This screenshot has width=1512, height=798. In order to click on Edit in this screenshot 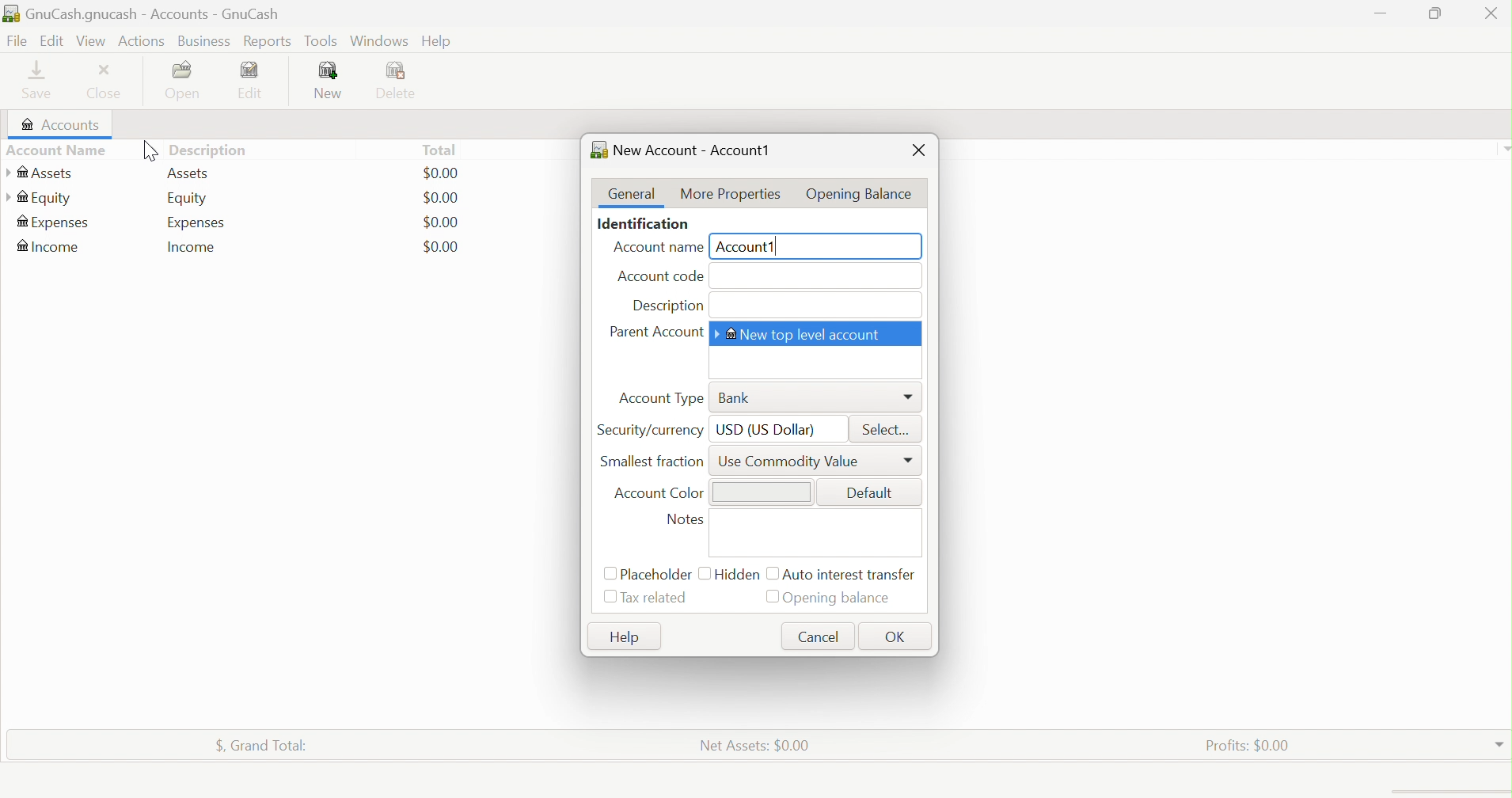, I will do `click(50, 40)`.